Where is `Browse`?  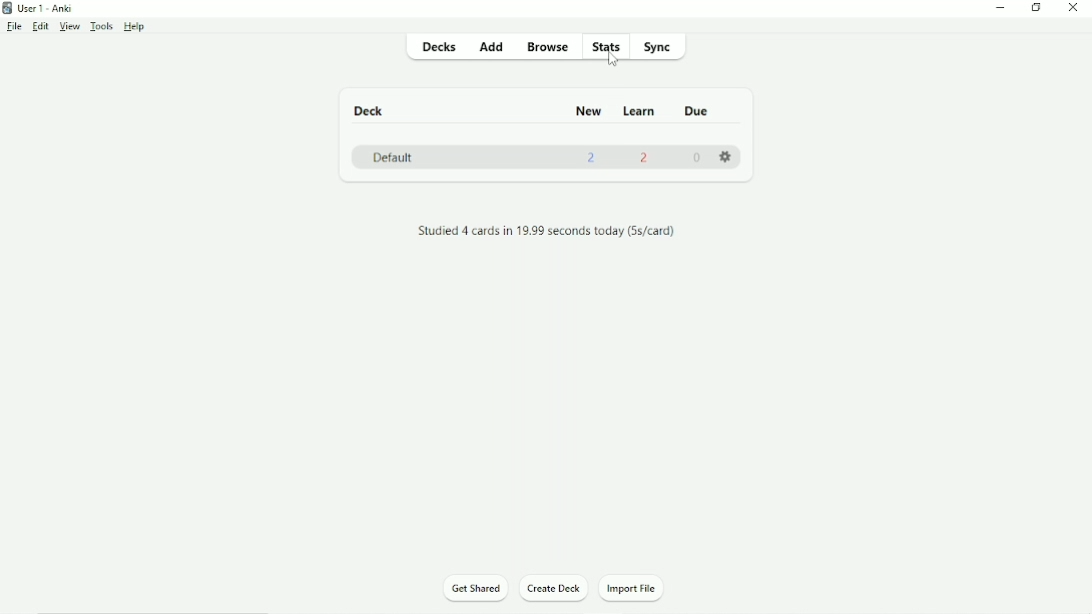
Browse is located at coordinates (551, 46).